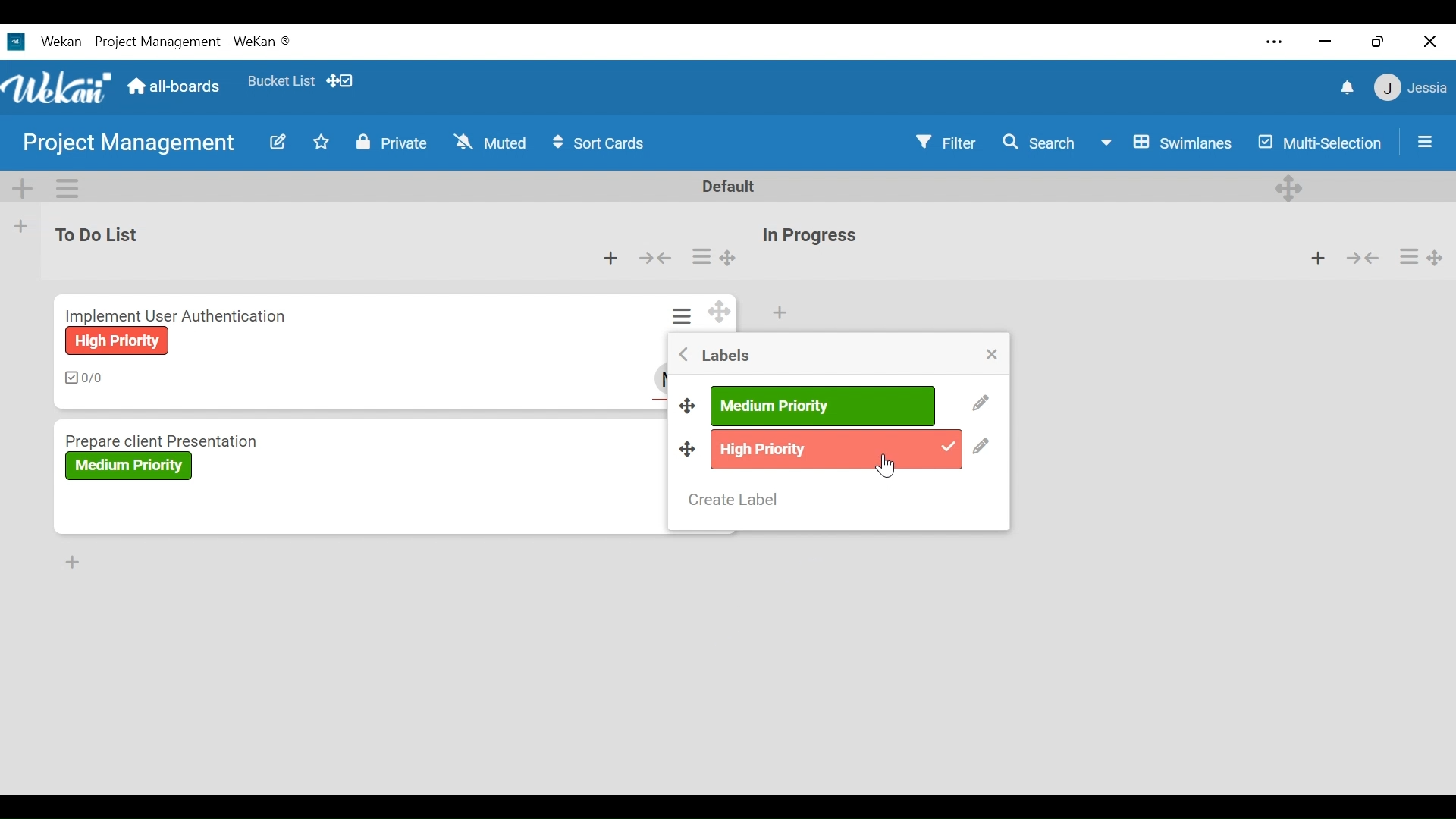 The height and width of the screenshot is (819, 1456). I want to click on Edit, so click(981, 448).